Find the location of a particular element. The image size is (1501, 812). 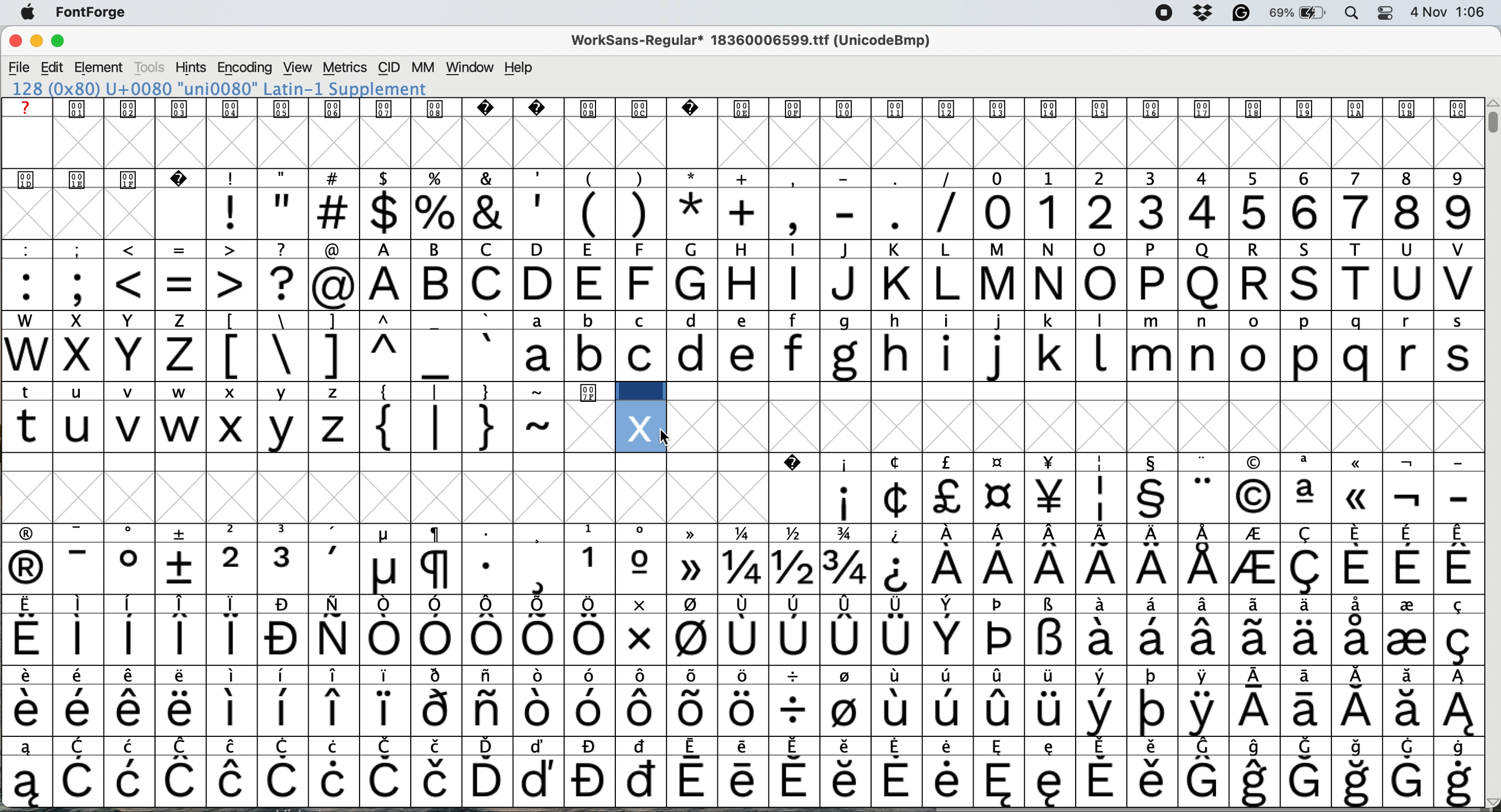

special characters and text is located at coordinates (738, 249).